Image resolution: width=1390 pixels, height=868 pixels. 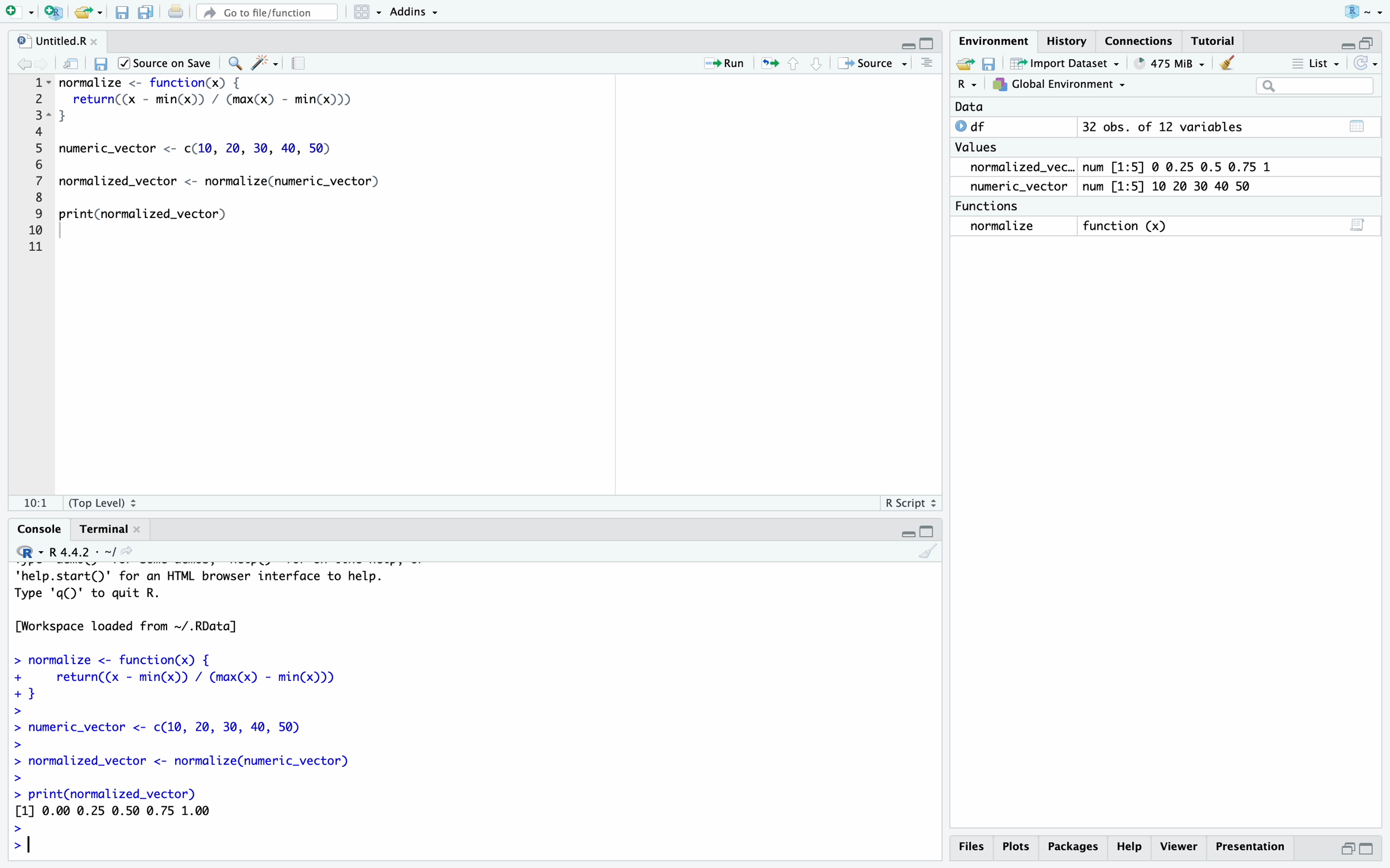 What do you see at coordinates (1367, 63) in the screenshot?
I see `Refresh the list of objects in the environment` at bounding box center [1367, 63].